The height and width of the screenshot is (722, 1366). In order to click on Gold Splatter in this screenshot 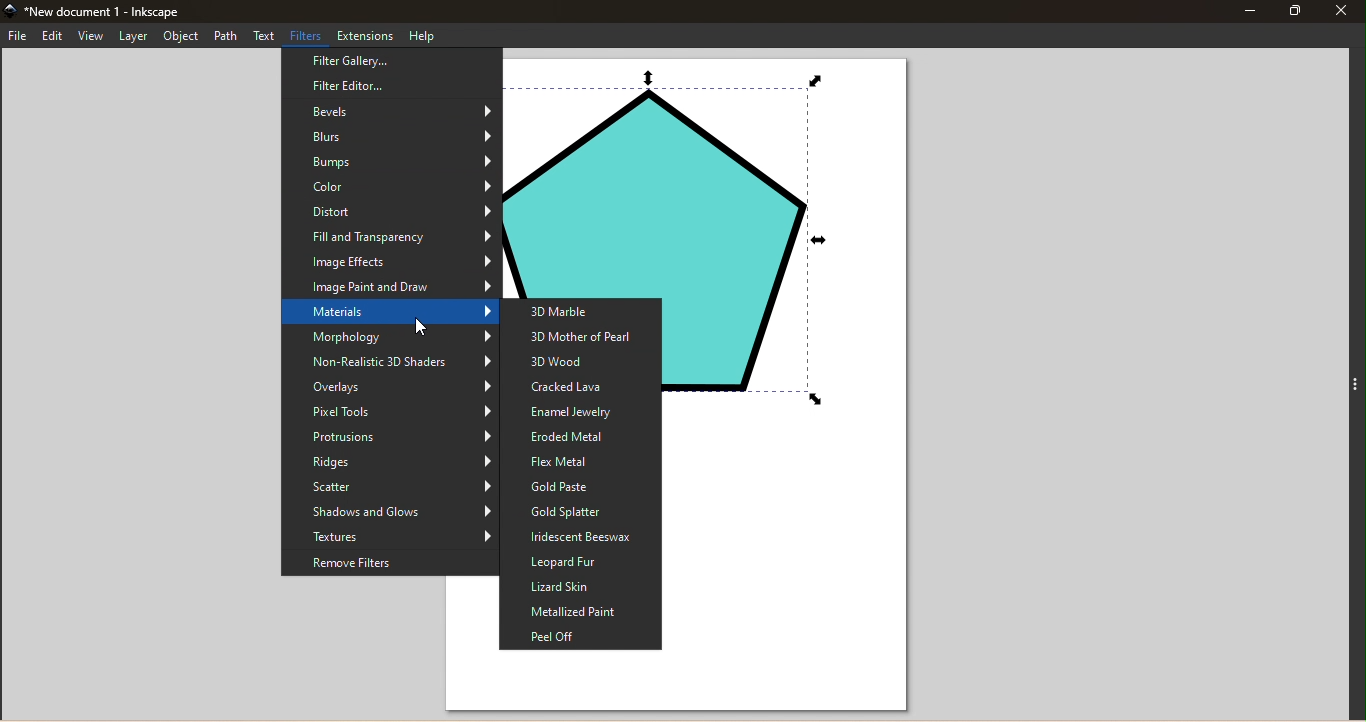, I will do `click(579, 512)`.